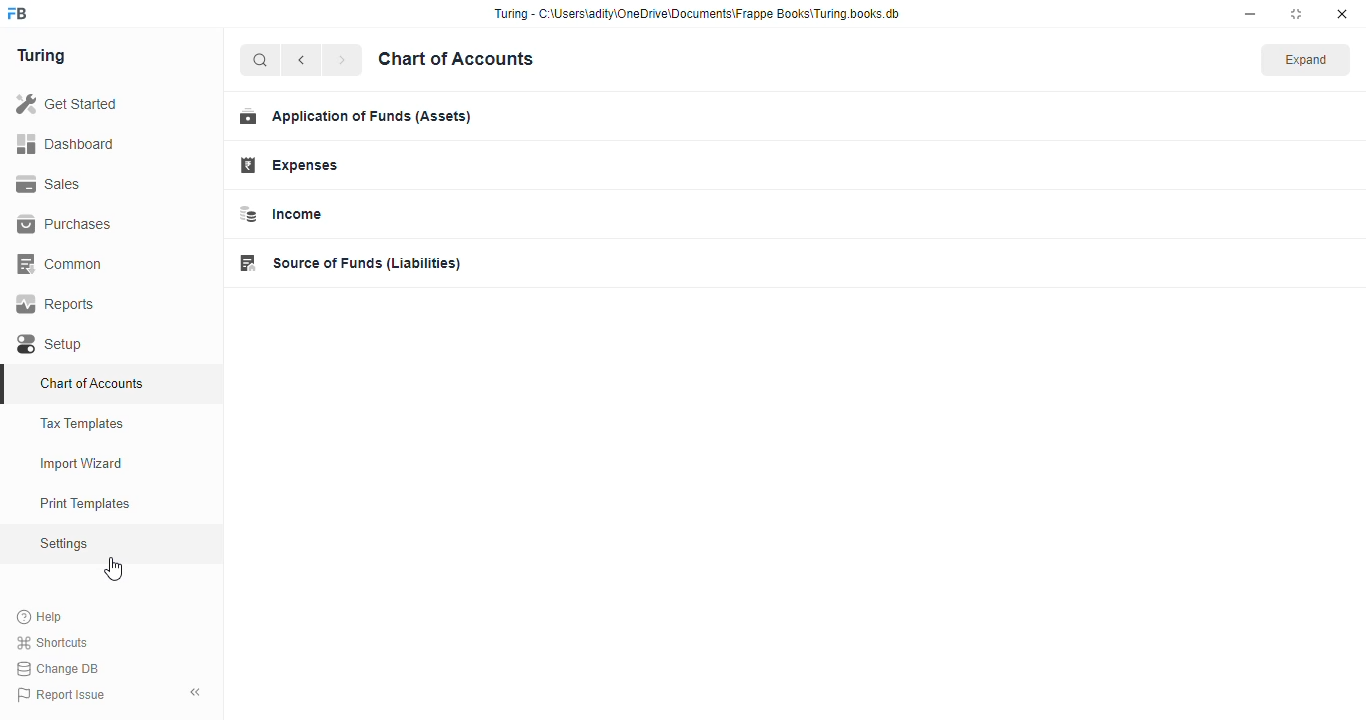 The image size is (1366, 720). I want to click on minimise, so click(1253, 13).